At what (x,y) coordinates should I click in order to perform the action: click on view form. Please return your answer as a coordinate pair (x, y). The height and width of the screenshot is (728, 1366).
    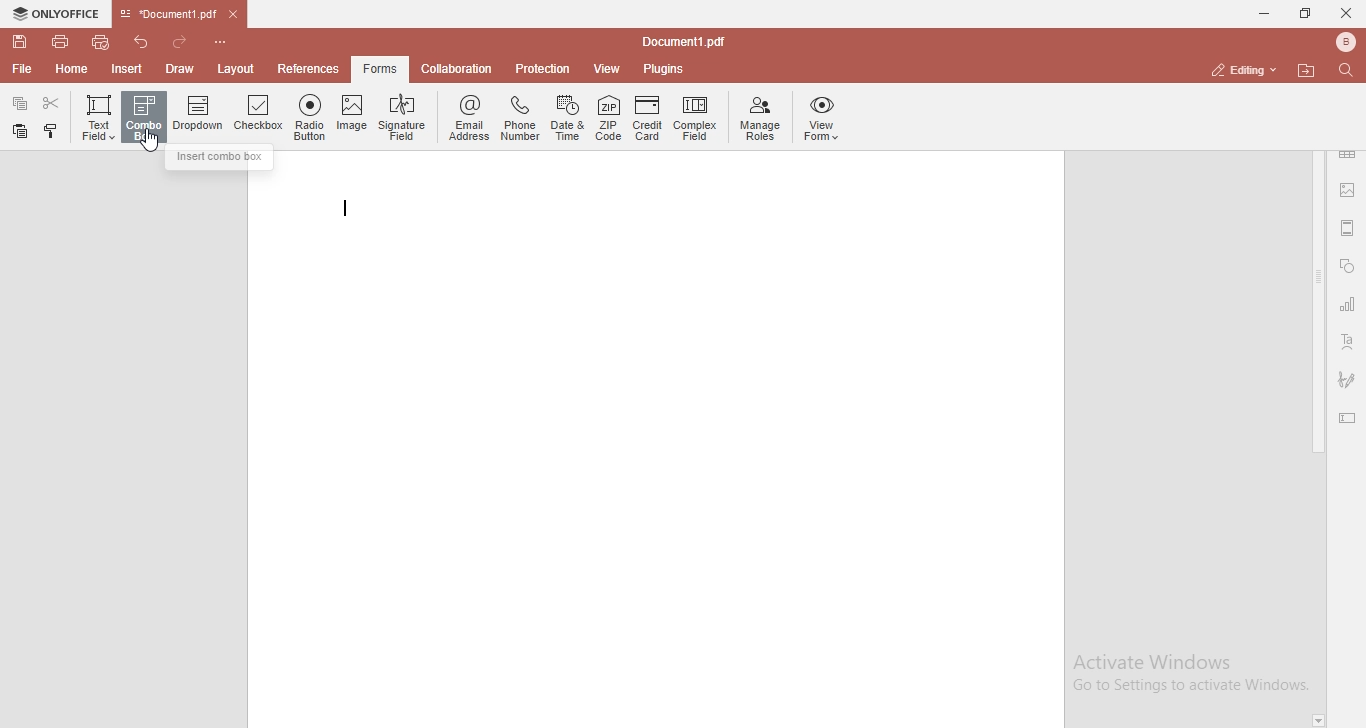
    Looking at the image, I should click on (823, 119).